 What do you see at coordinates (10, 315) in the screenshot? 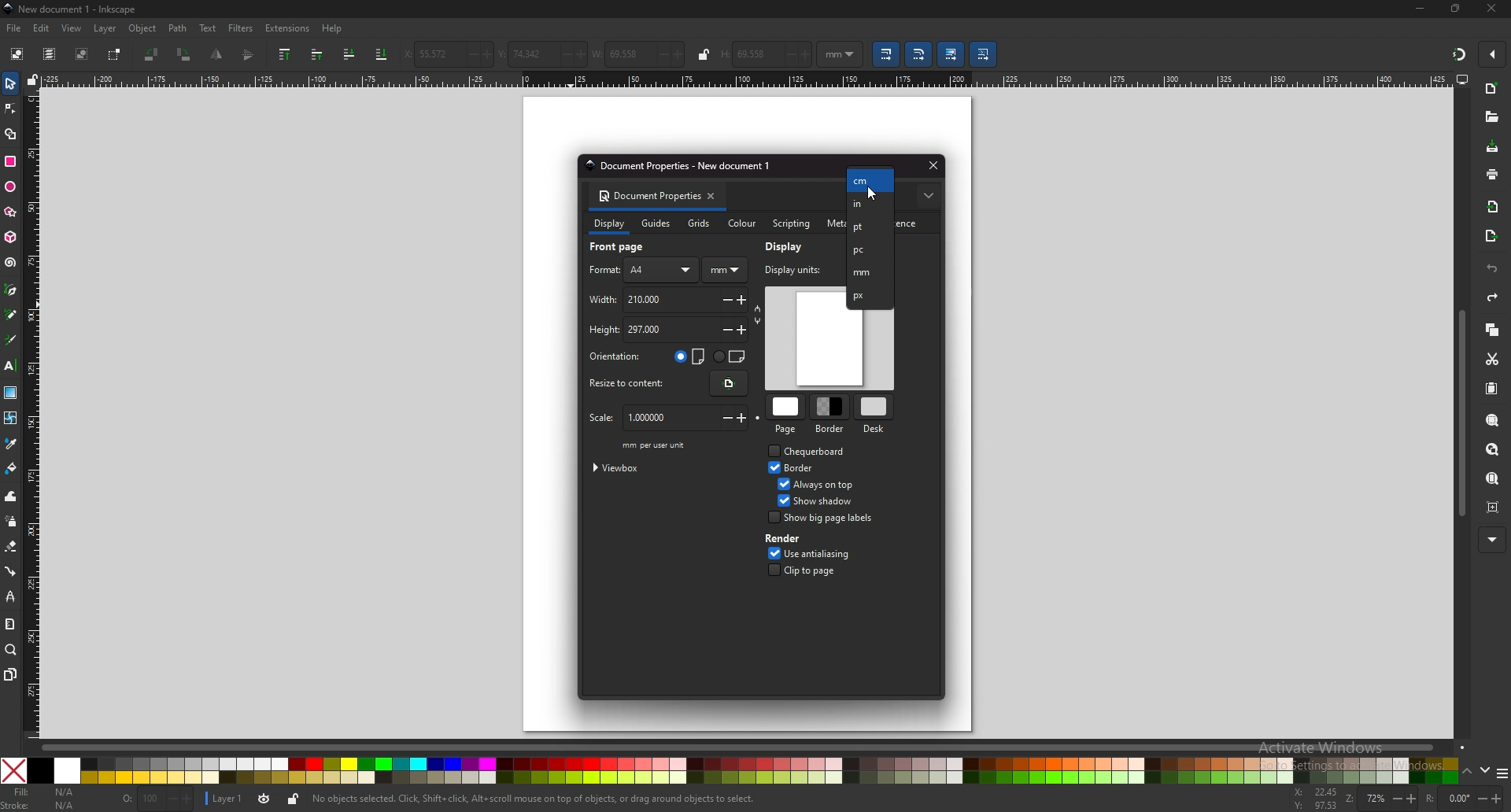
I see `pencil` at bounding box center [10, 315].